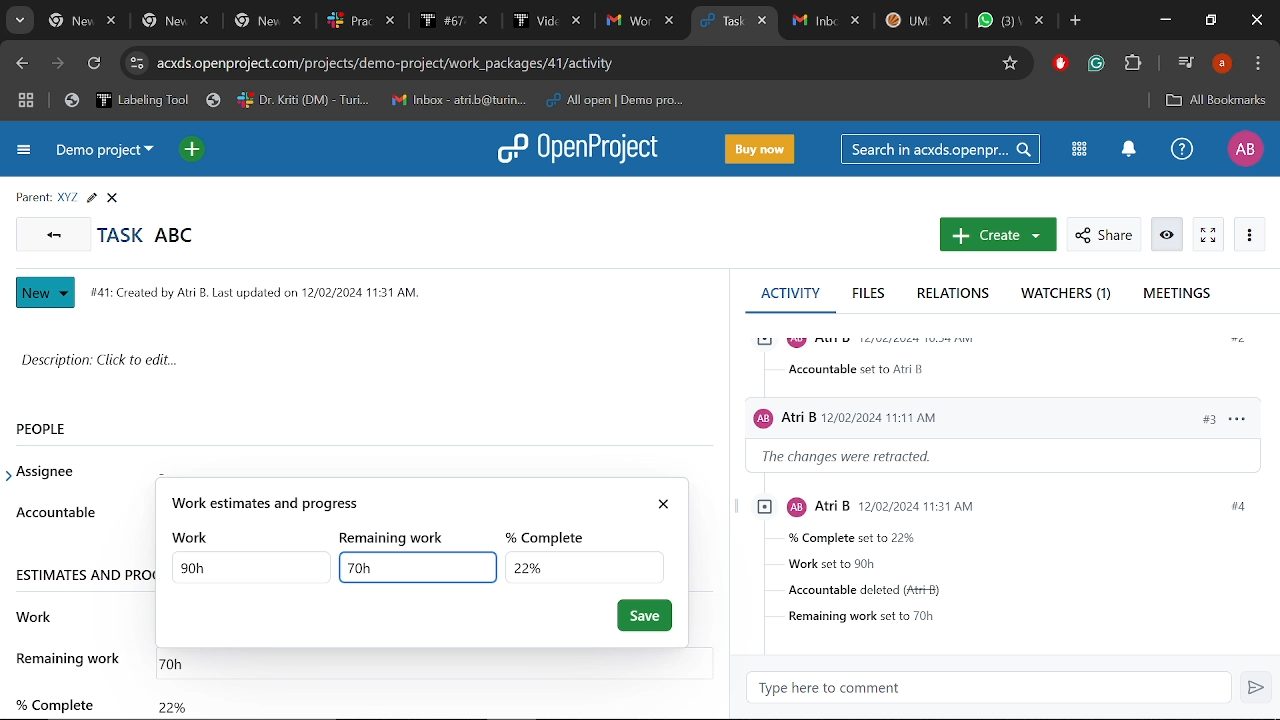  Describe the element at coordinates (22, 152) in the screenshot. I see `Expand project menu` at that location.